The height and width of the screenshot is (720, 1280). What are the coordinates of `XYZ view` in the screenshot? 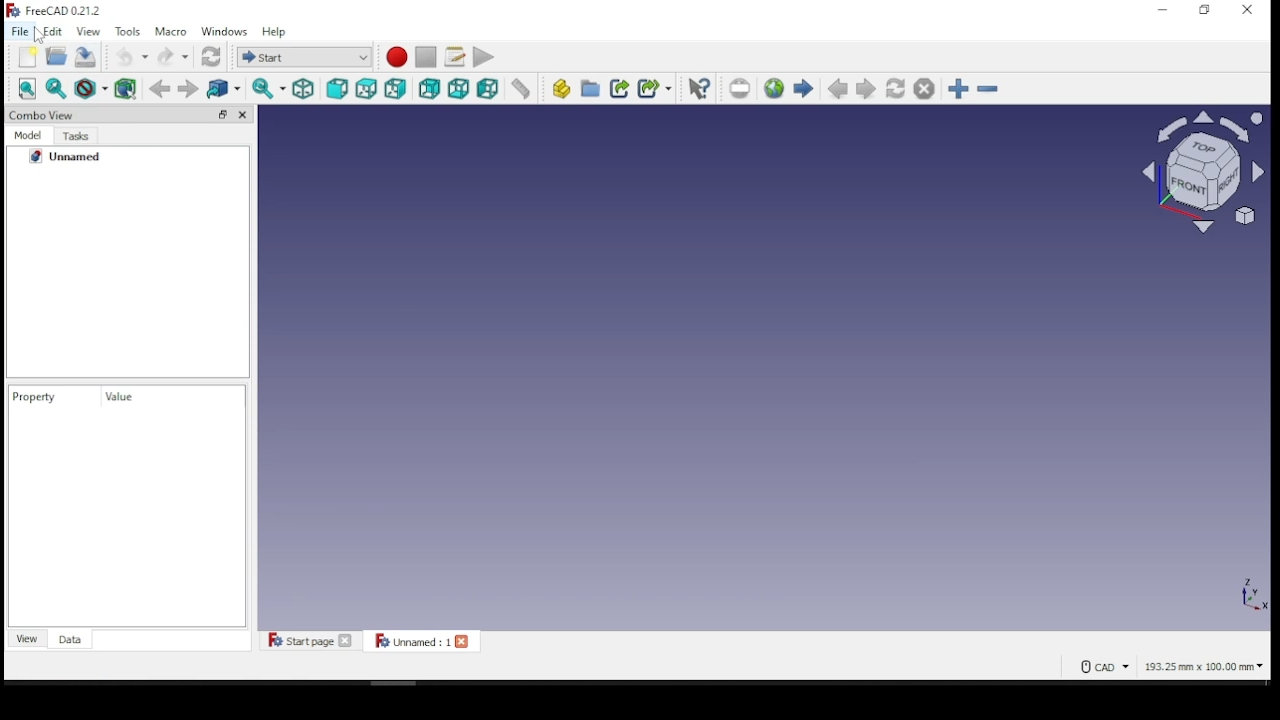 It's located at (1232, 602).